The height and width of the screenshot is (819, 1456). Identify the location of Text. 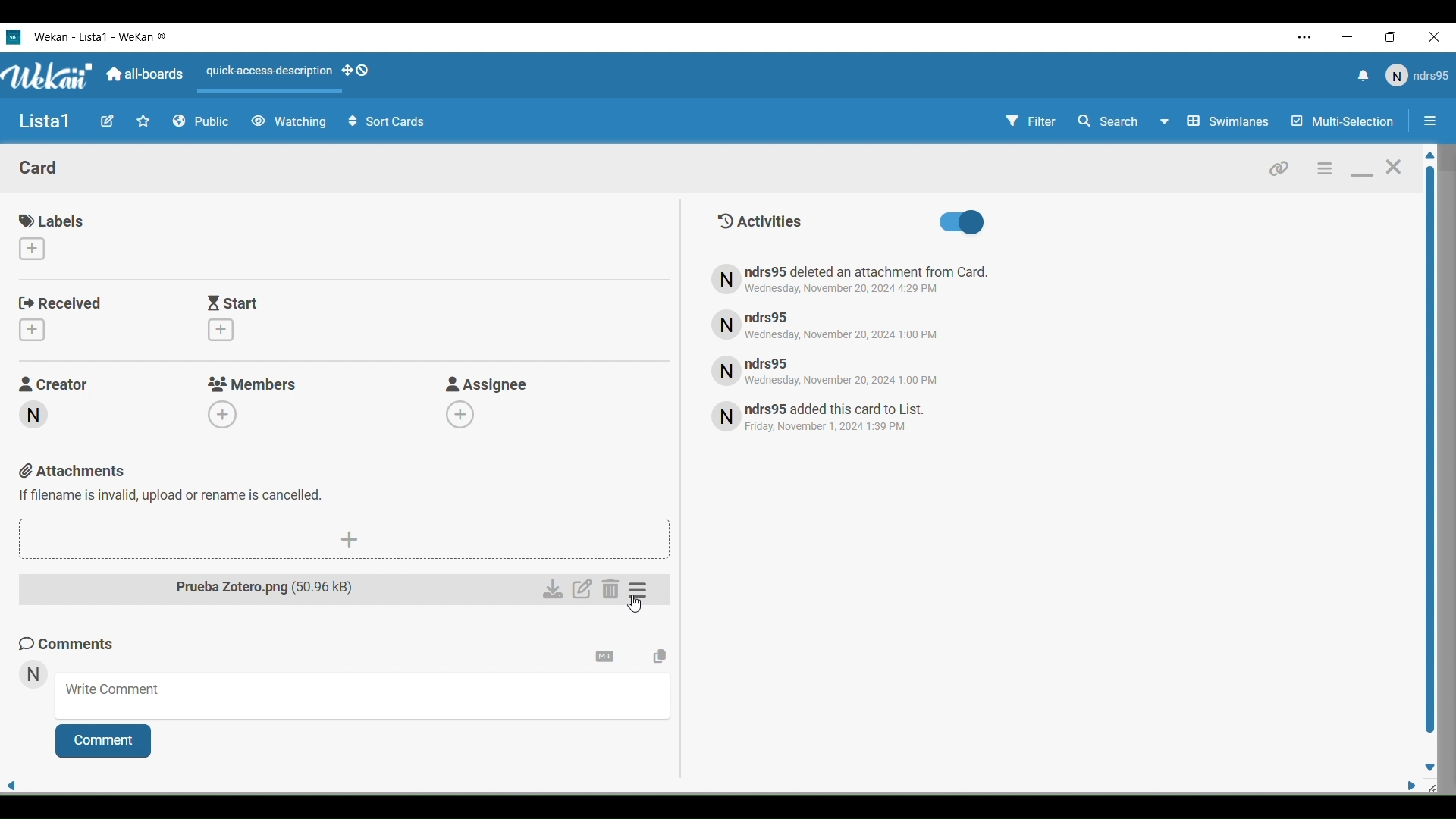
(278, 590).